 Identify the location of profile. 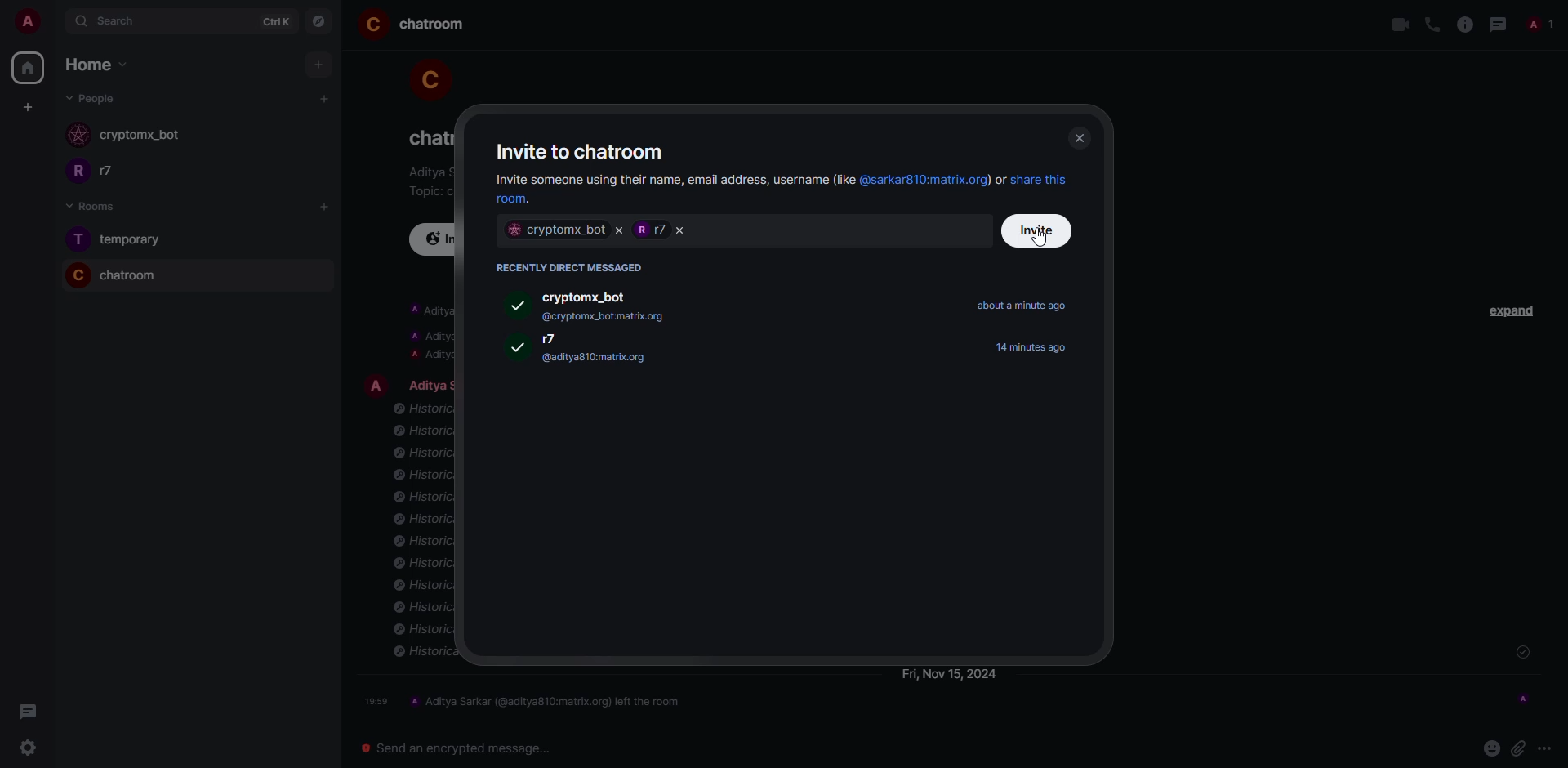
(74, 275).